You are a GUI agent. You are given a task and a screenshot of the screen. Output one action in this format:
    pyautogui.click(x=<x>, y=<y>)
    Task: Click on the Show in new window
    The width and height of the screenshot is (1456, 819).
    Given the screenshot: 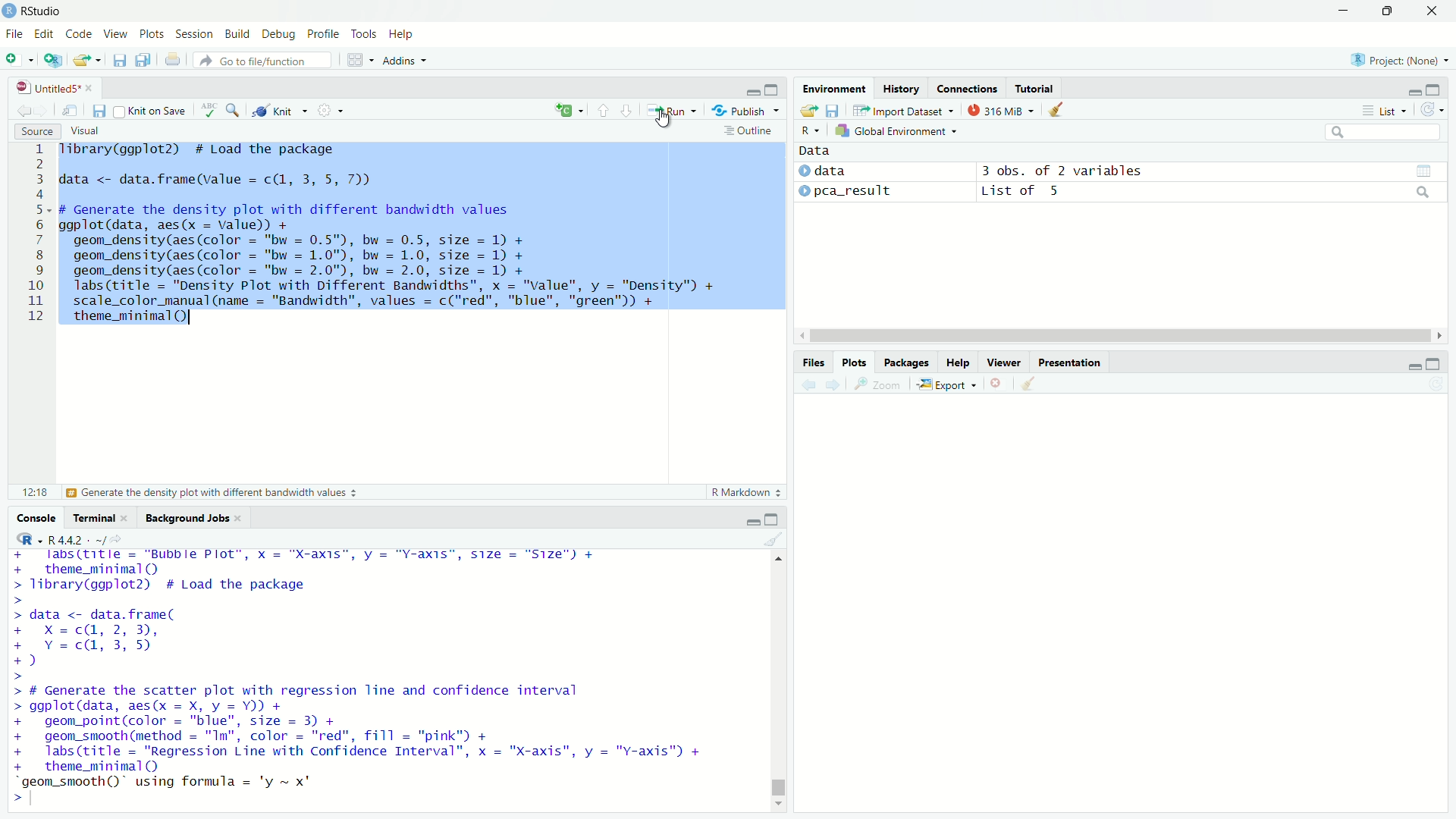 What is the action you would take?
    pyautogui.click(x=70, y=110)
    